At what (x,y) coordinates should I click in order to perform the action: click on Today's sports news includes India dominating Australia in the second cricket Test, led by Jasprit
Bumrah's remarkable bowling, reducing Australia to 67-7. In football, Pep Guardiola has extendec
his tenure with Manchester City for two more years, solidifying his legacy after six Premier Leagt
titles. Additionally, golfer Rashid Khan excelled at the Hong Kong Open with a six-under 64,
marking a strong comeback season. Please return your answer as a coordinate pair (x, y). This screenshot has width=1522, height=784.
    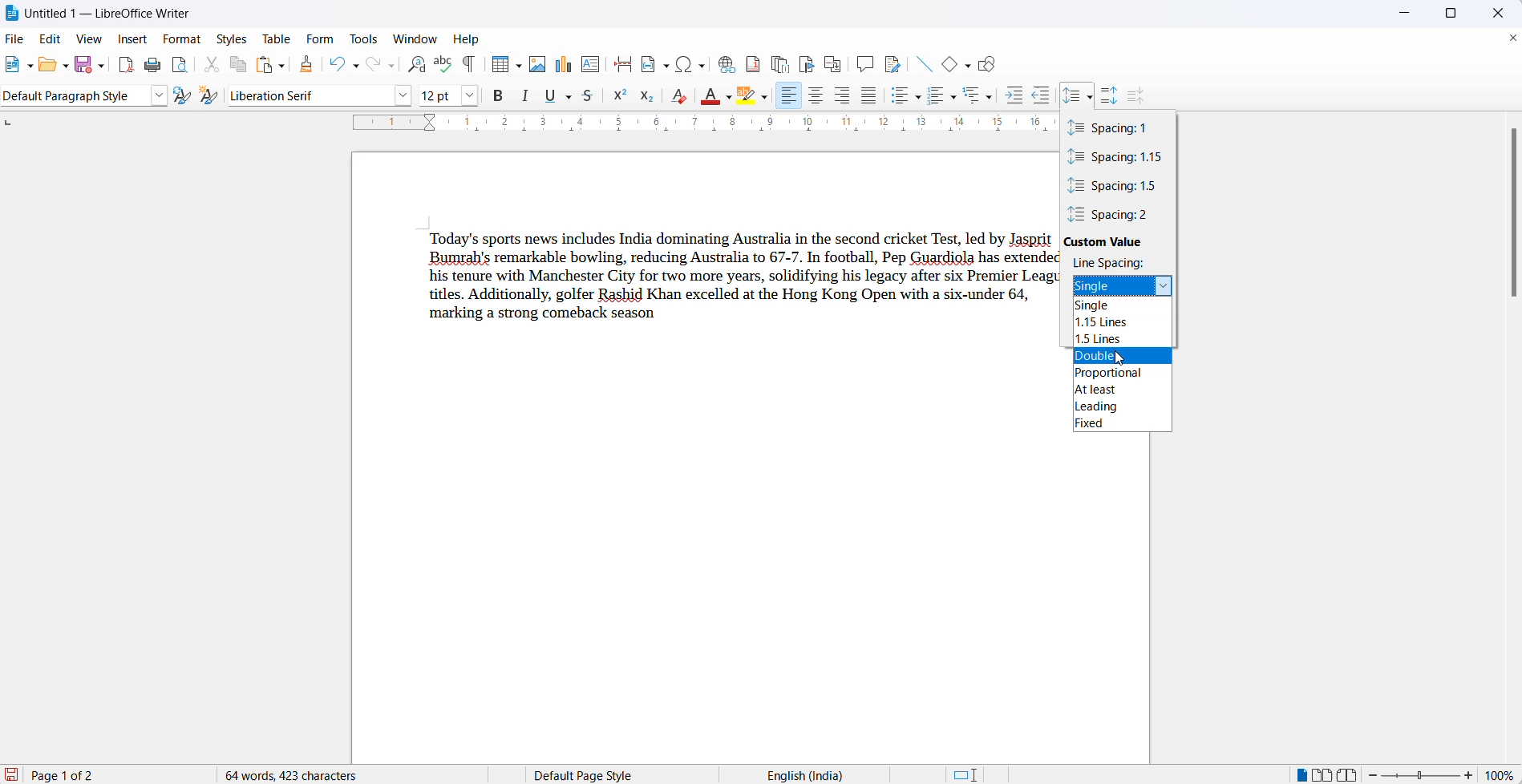
    Looking at the image, I should click on (729, 280).